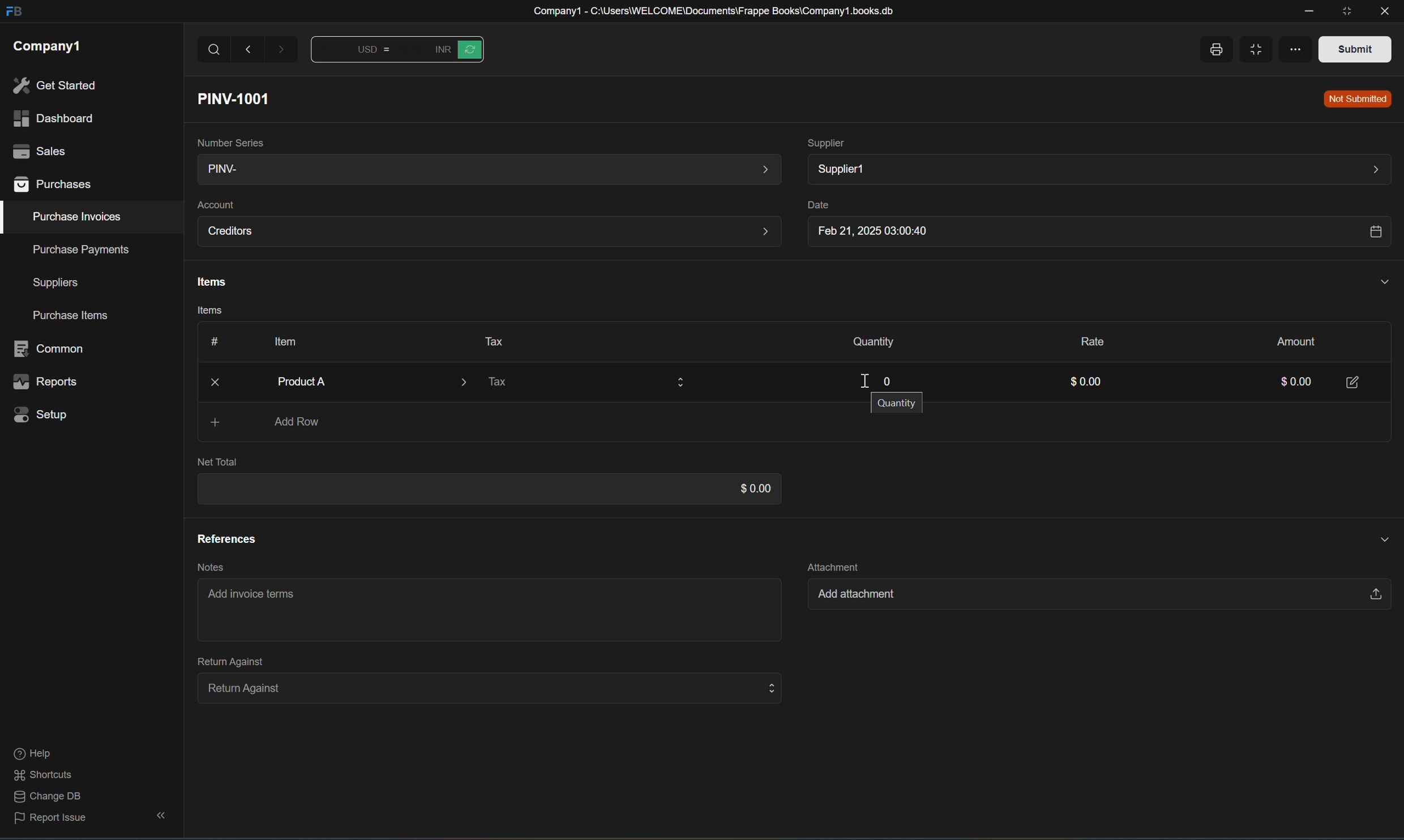 Image resolution: width=1404 pixels, height=840 pixels. Describe the element at coordinates (217, 383) in the screenshot. I see `Close` at that location.